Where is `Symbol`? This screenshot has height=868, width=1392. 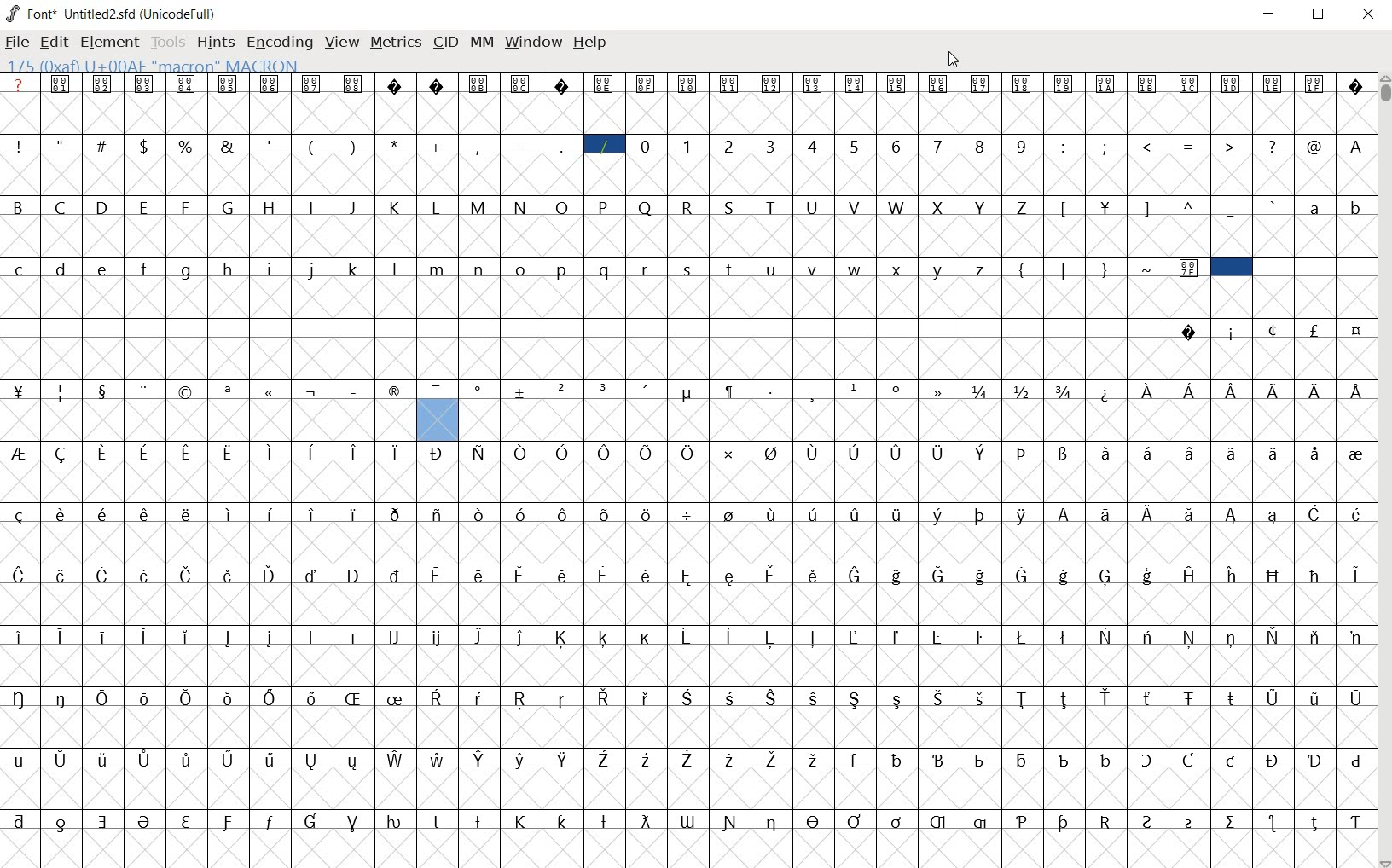
Symbol is located at coordinates (146, 515).